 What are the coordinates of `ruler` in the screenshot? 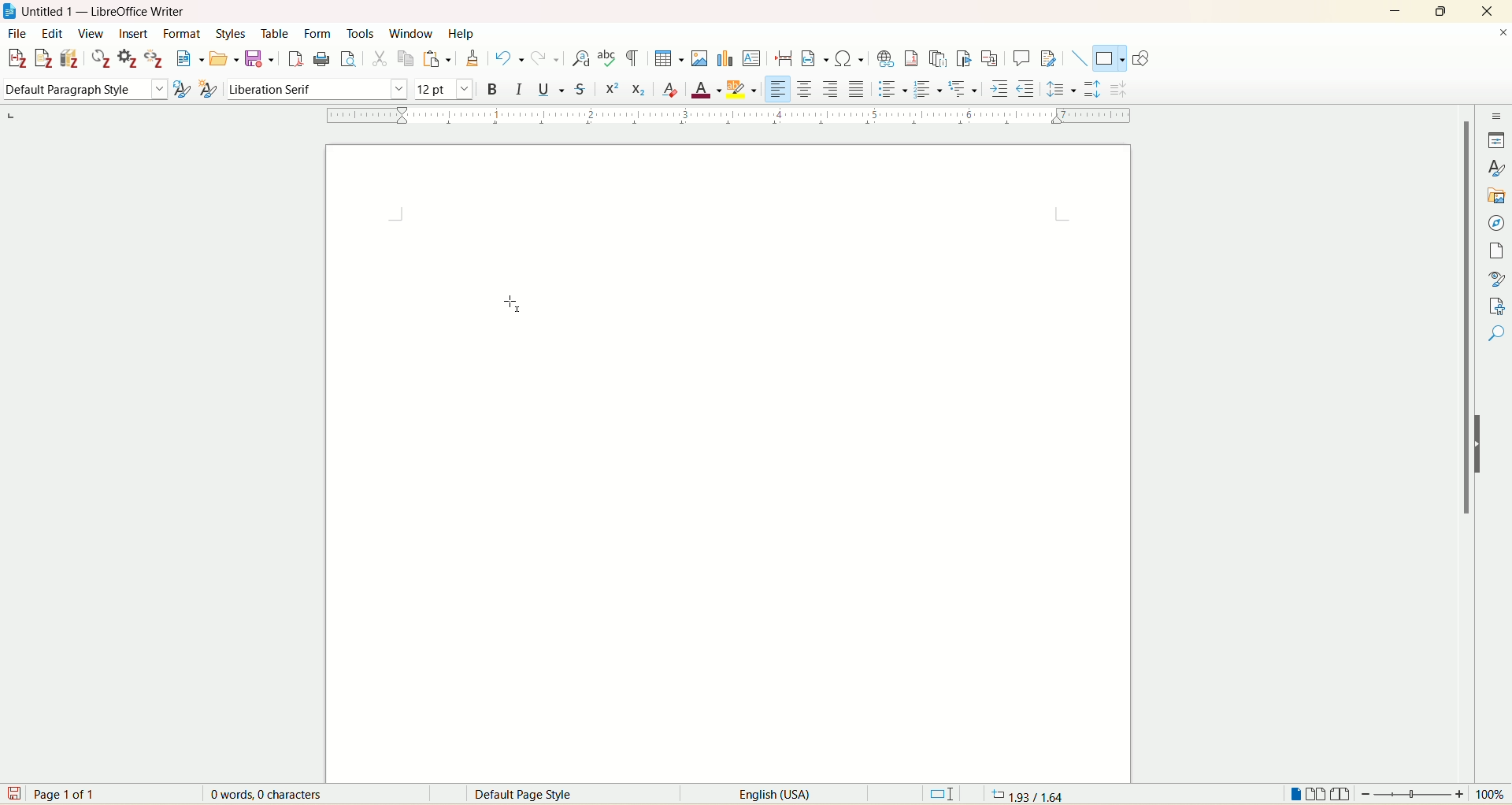 It's located at (721, 116).